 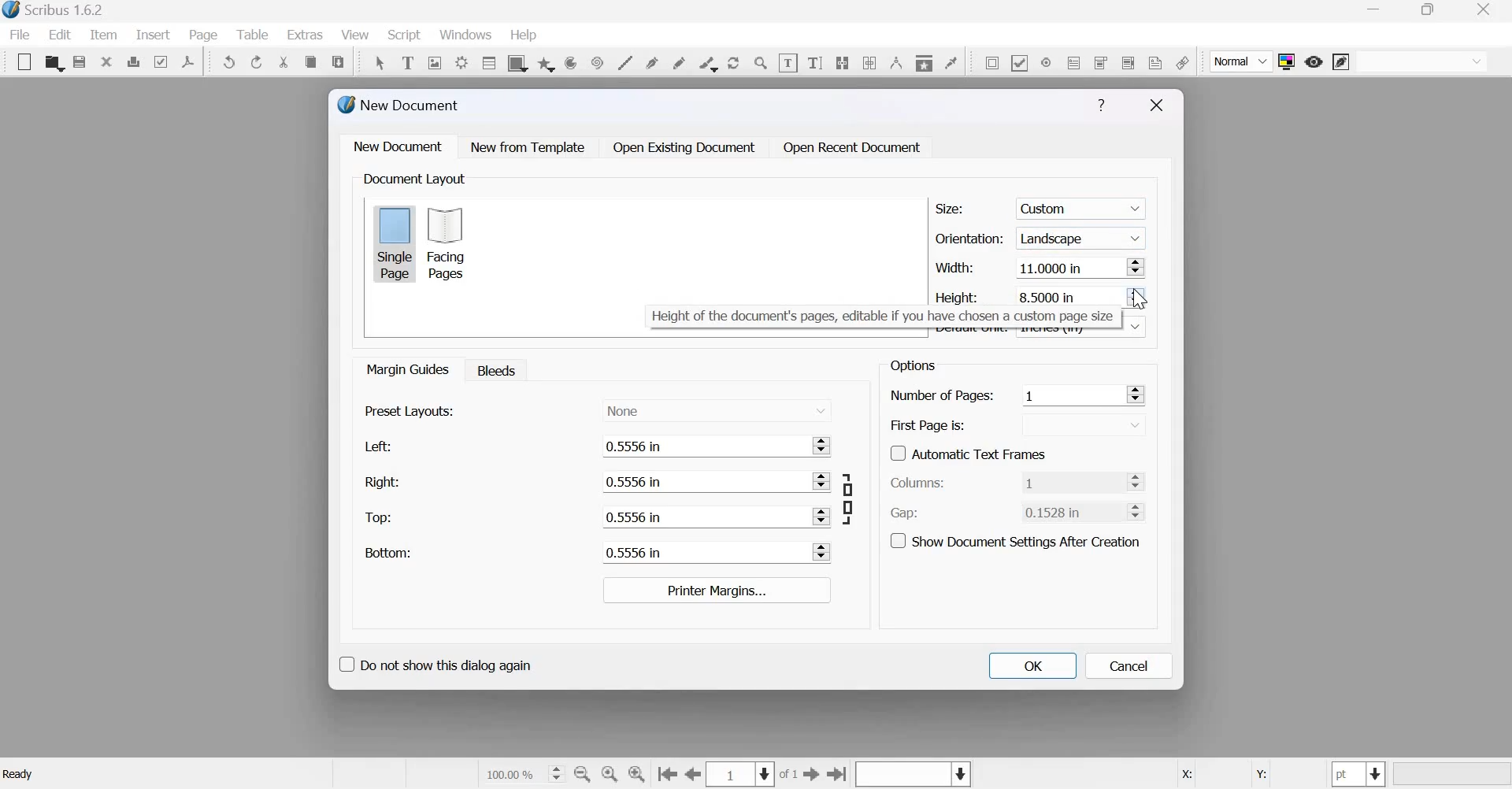 What do you see at coordinates (918, 483) in the screenshot?
I see `Columns:` at bounding box center [918, 483].